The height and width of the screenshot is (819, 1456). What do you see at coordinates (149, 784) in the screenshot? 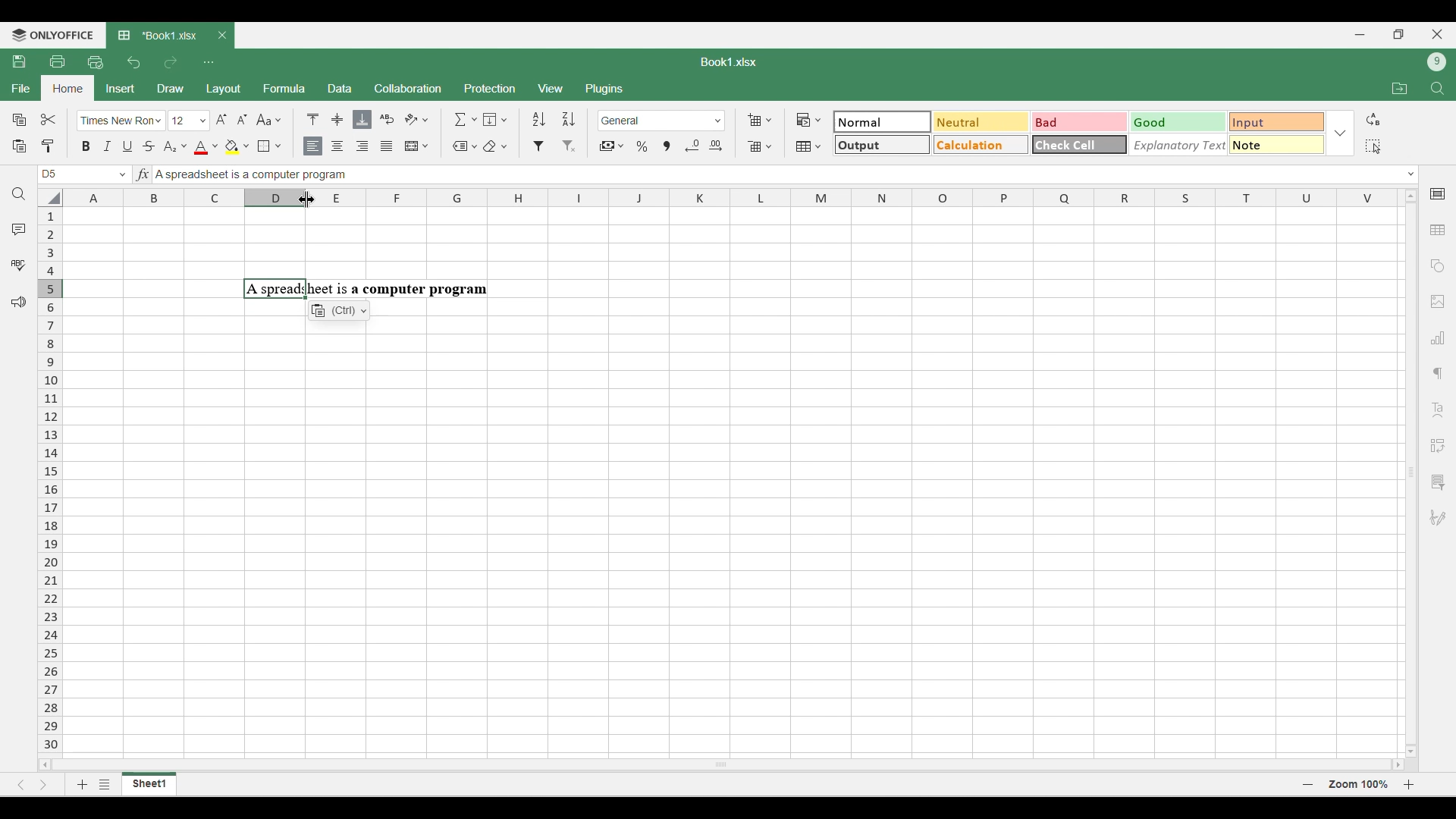
I see `Current sheet` at bounding box center [149, 784].